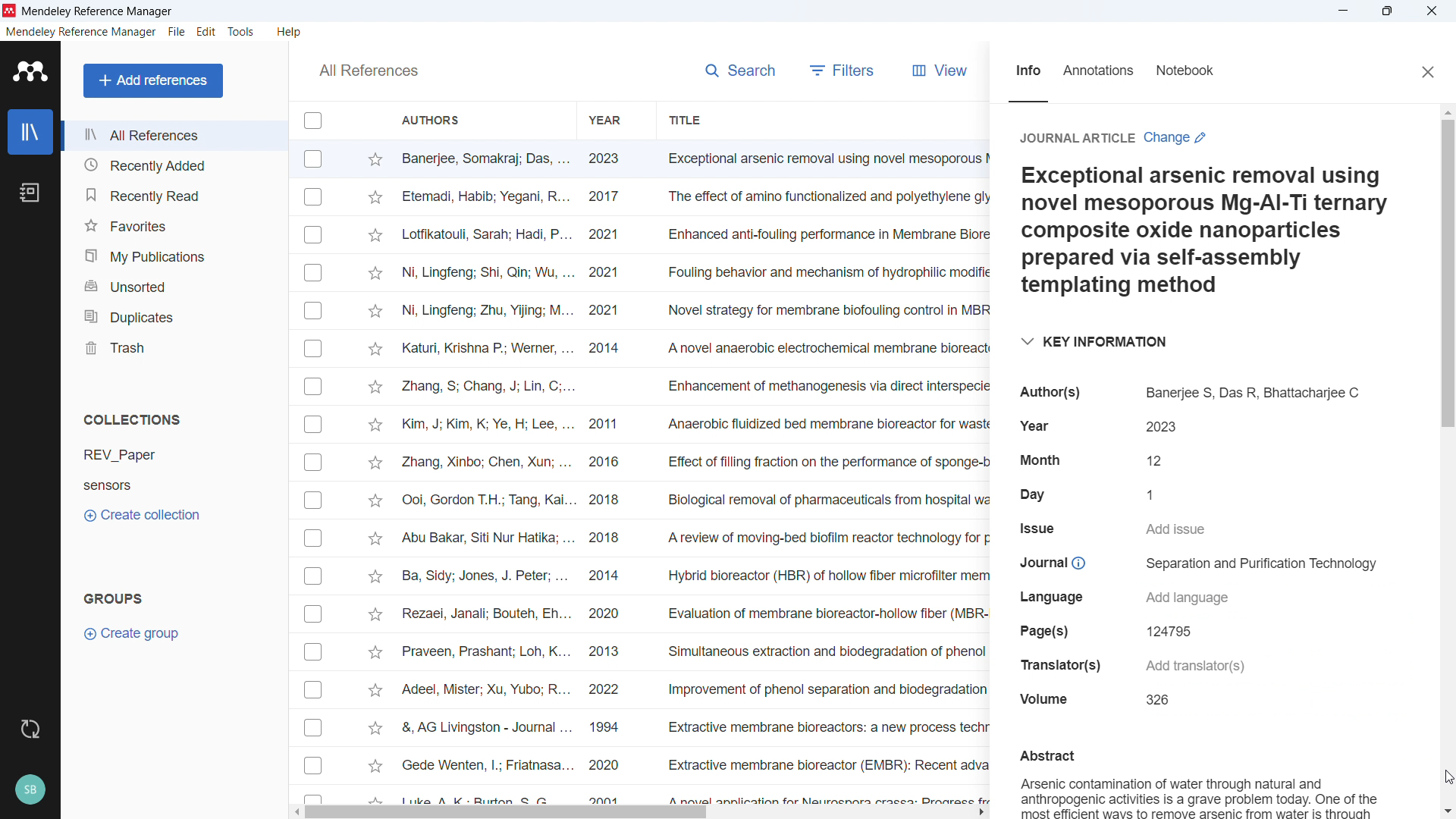 This screenshot has height=819, width=1456. I want to click on click to select individual entry, so click(312, 310).